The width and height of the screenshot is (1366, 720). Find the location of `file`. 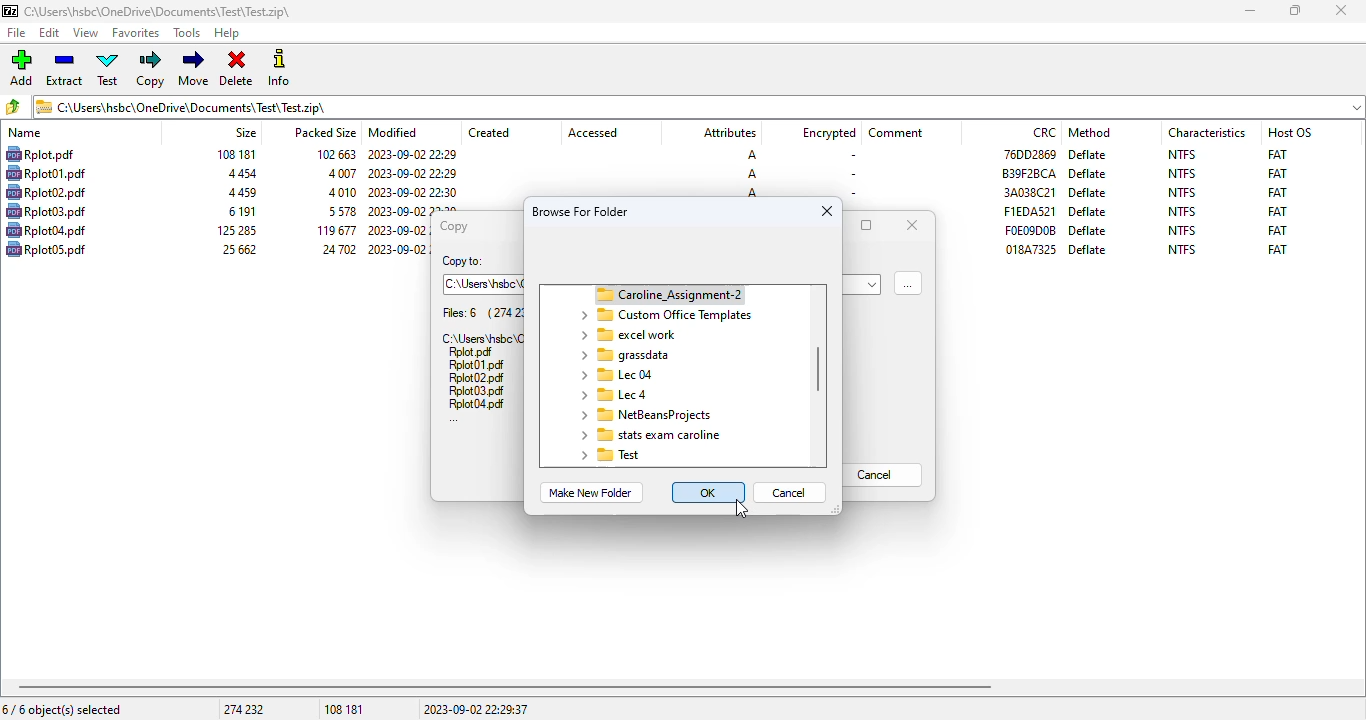

file is located at coordinates (475, 378).